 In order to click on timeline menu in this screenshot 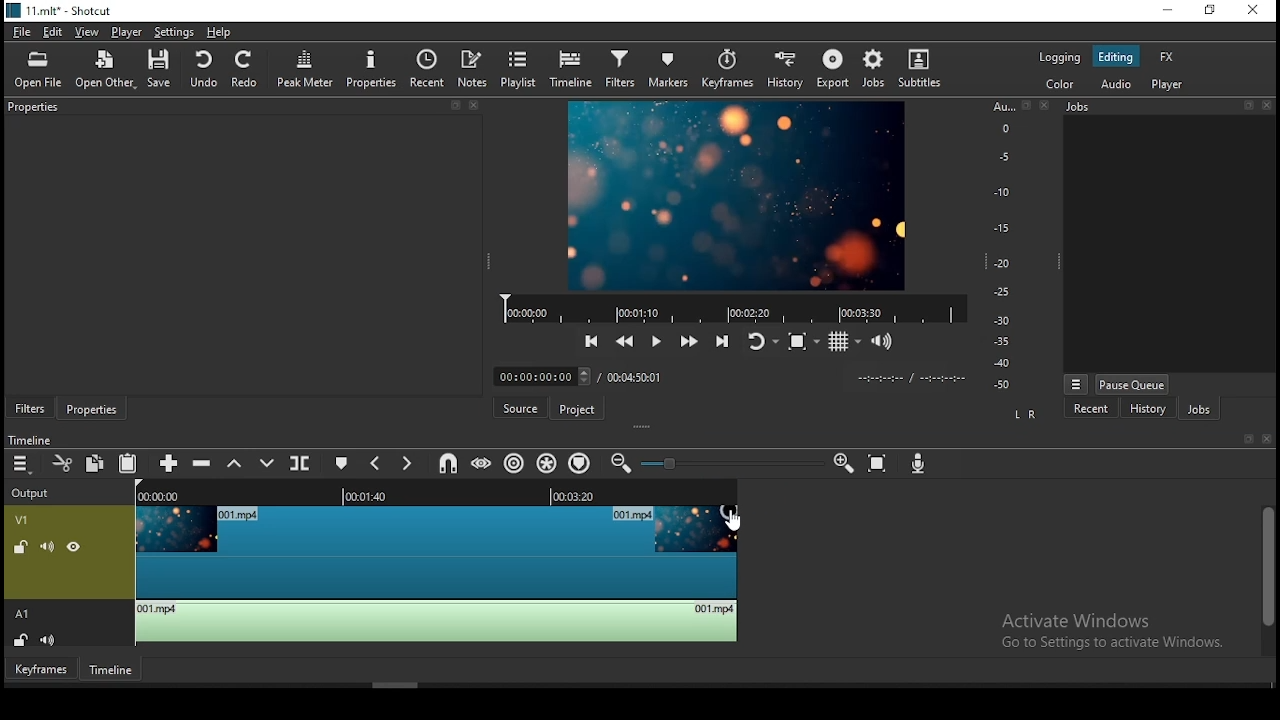, I will do `click(20, 464)`.